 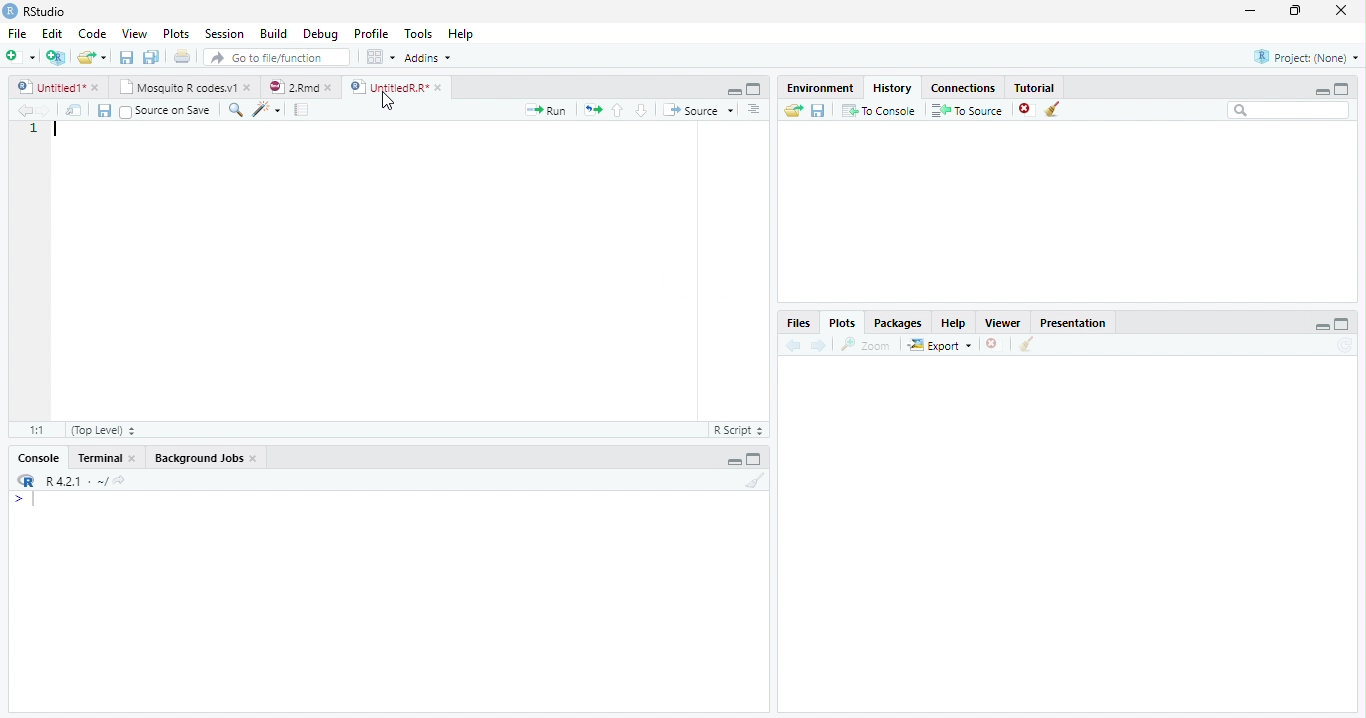 I want to click on Code tools, so click(x=268, y=110).